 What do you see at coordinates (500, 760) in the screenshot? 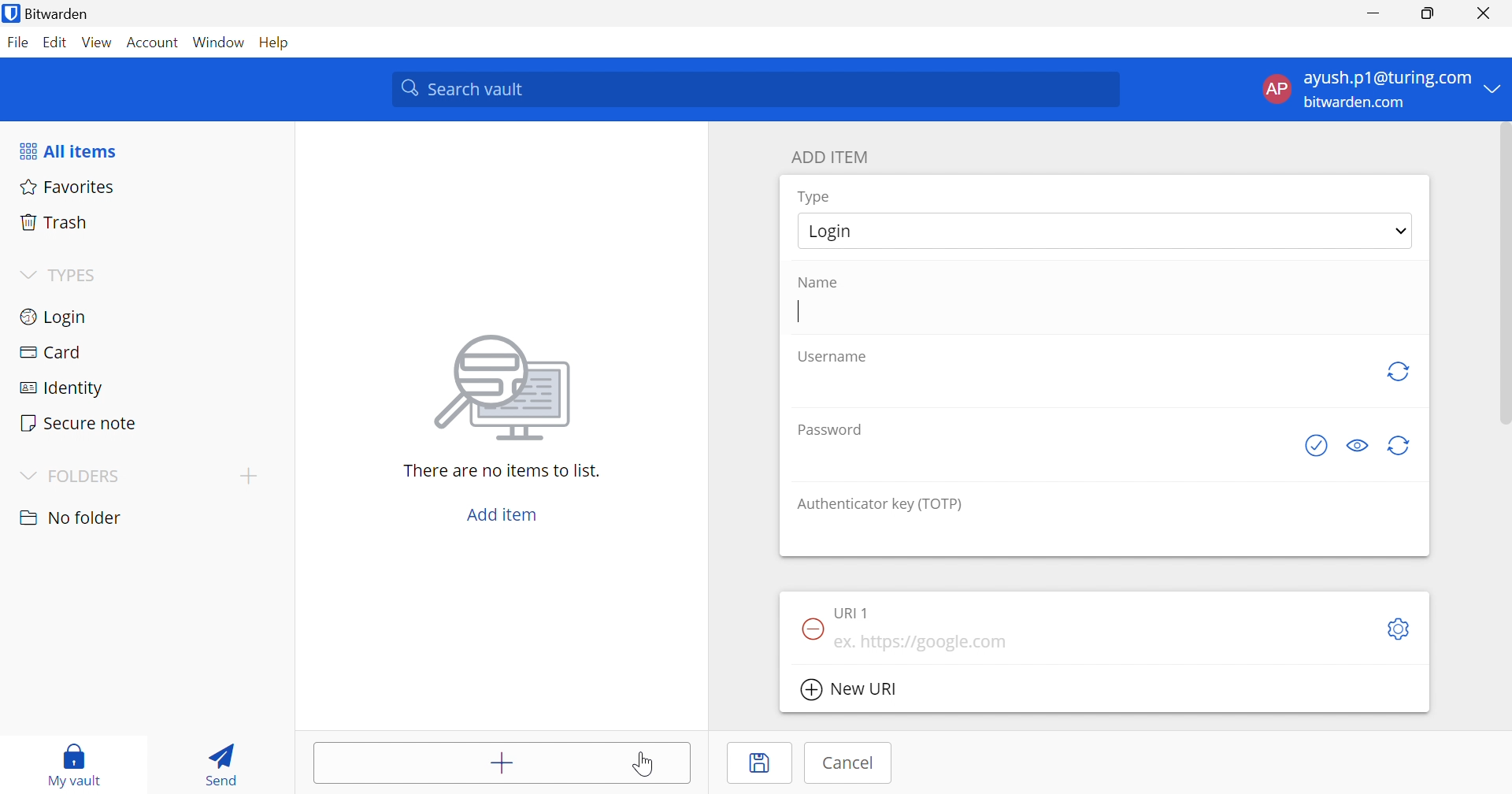
I see `Add item` at bounding box center [500, 760].